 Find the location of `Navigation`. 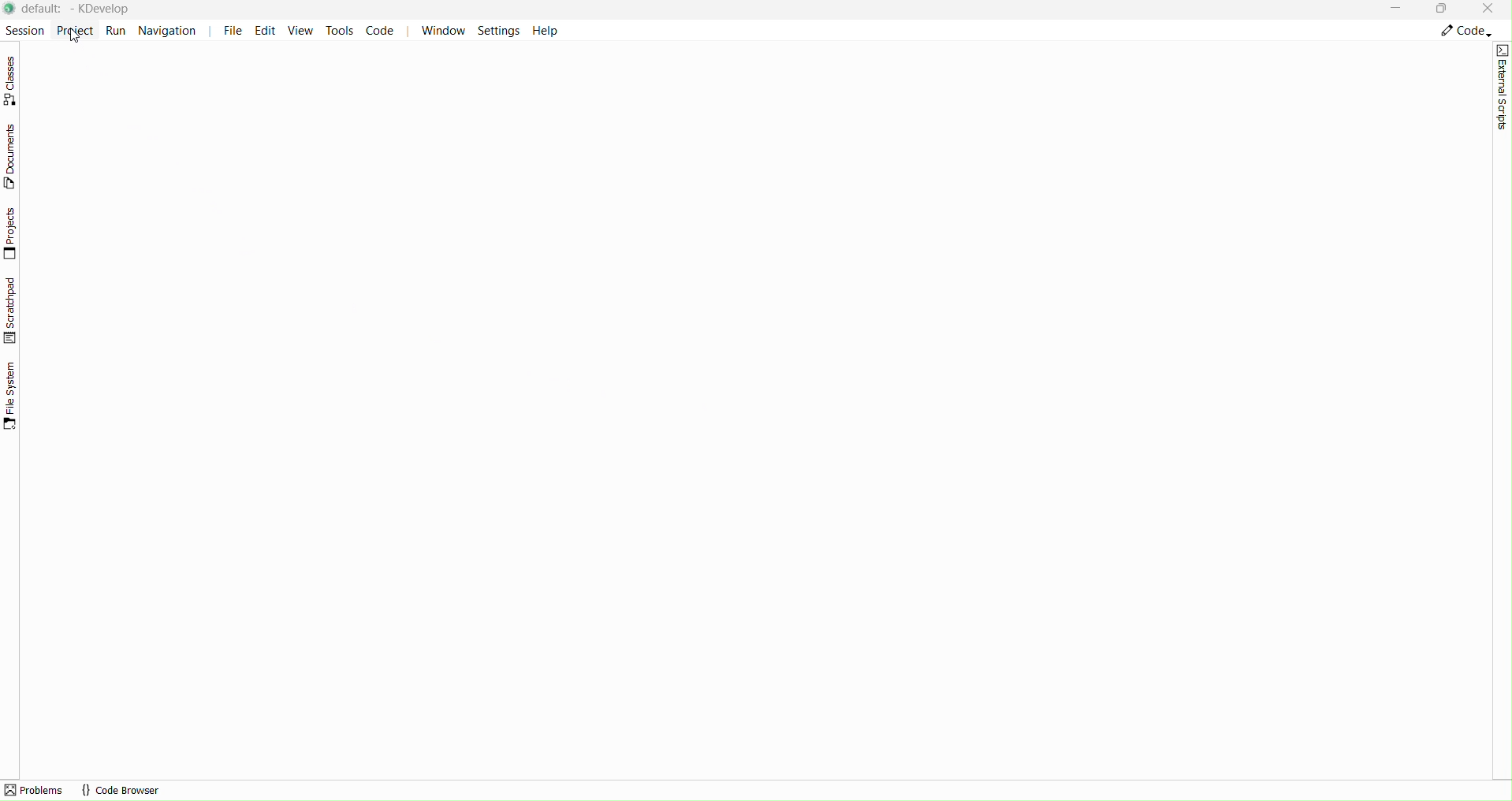

Navigation is located at coordinates (172, 30).